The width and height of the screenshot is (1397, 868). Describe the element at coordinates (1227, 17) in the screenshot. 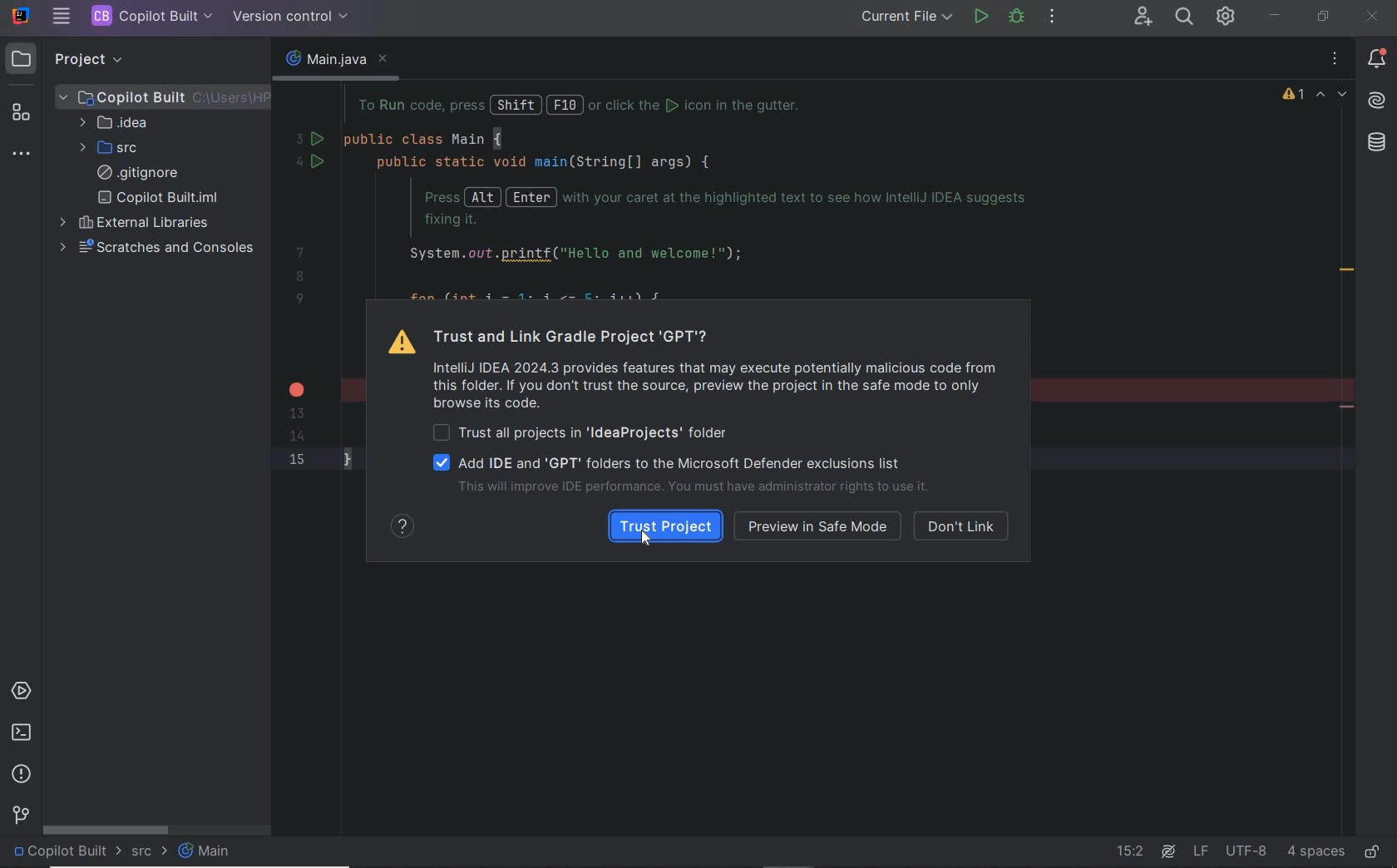

I see `IDE & PROJECT SETTINGS` at that location.